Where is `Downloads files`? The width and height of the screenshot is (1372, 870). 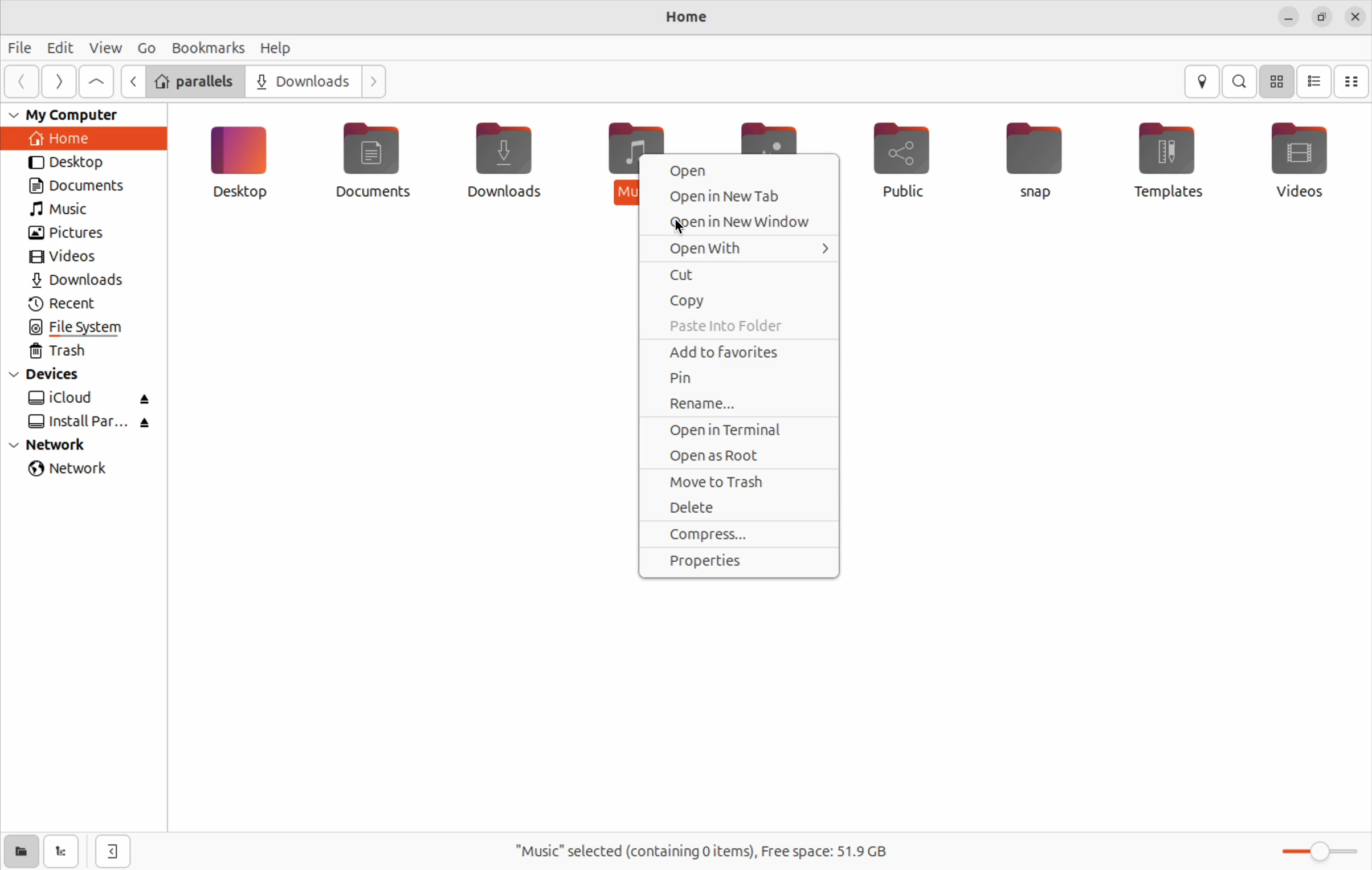 Downloads files is located at coordinates (503, 166).